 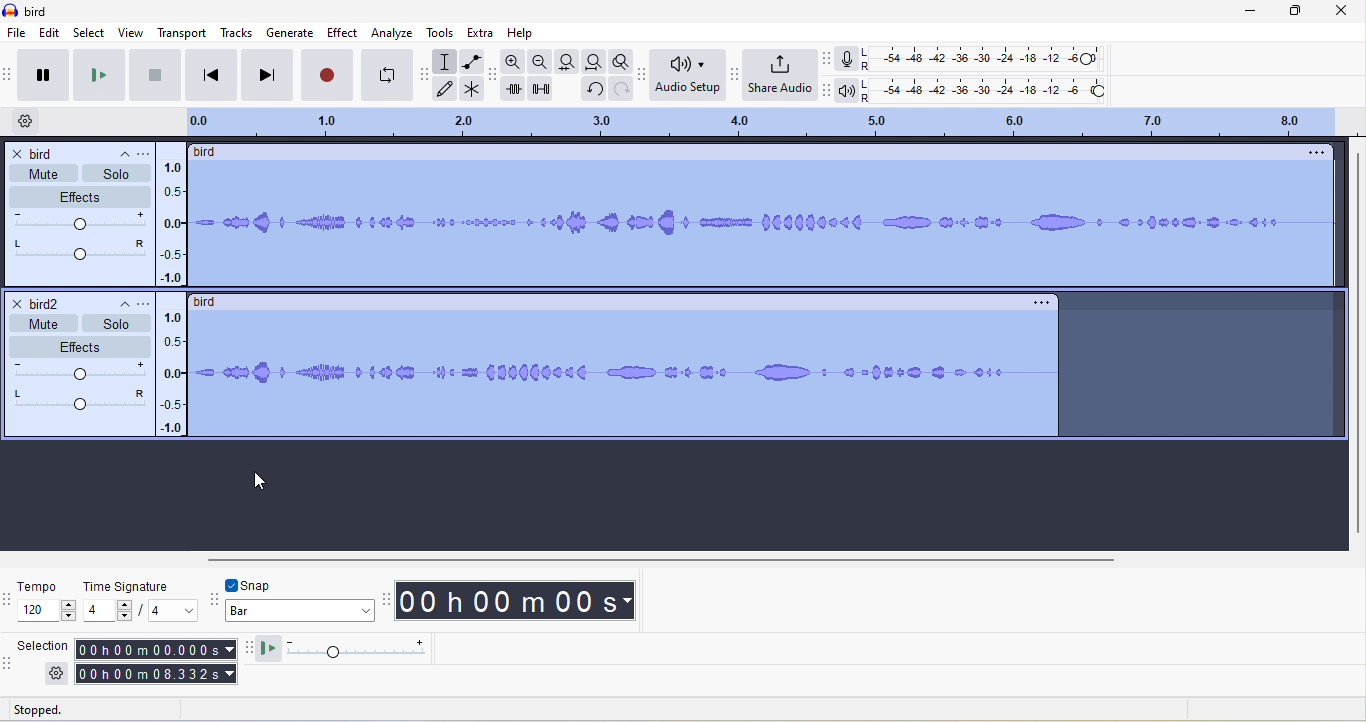 What do you see at coordinates (985, 58) in the screenshot?
I see `recording level` at bounding box center [985, 58].